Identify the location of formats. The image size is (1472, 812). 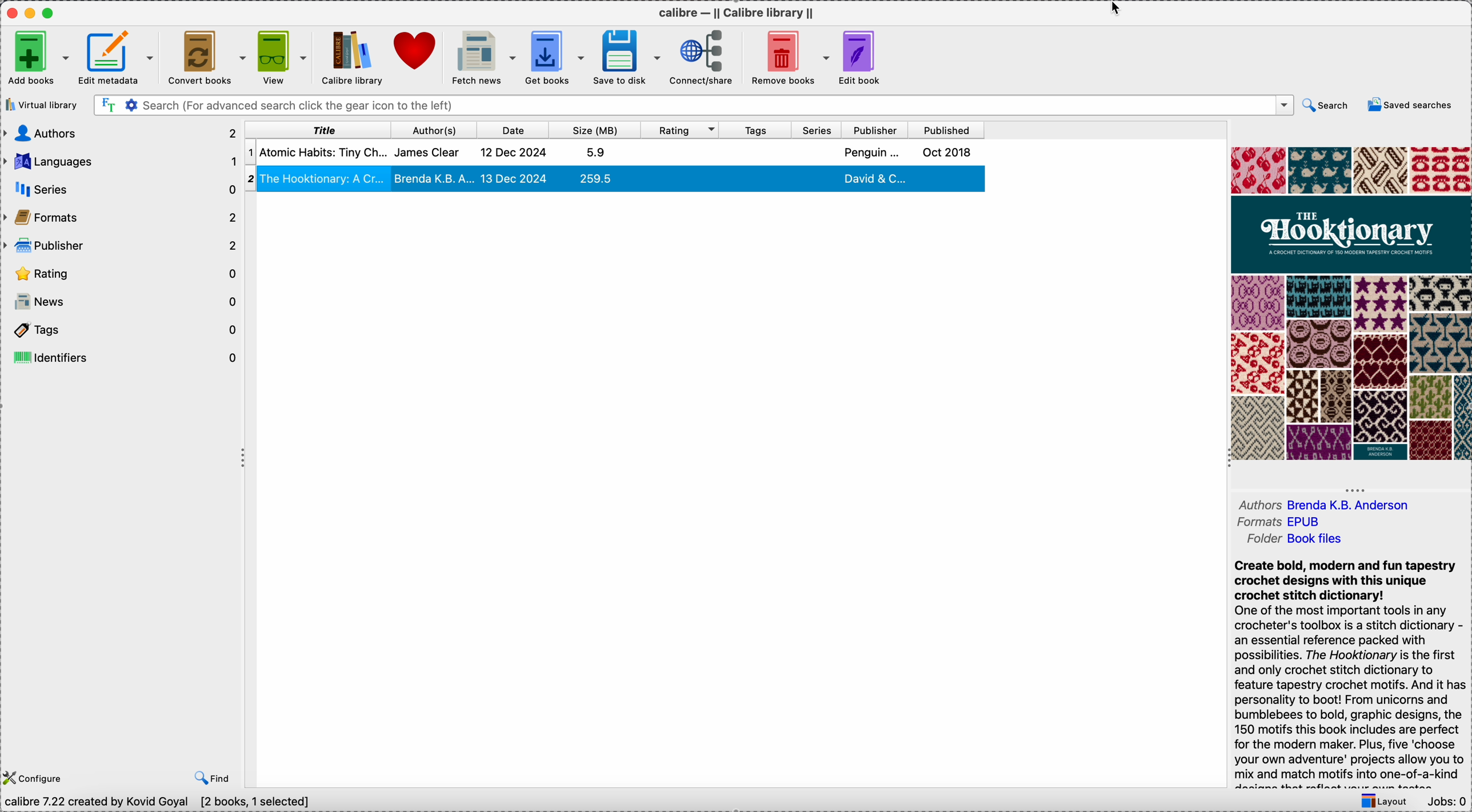
(119, 216).